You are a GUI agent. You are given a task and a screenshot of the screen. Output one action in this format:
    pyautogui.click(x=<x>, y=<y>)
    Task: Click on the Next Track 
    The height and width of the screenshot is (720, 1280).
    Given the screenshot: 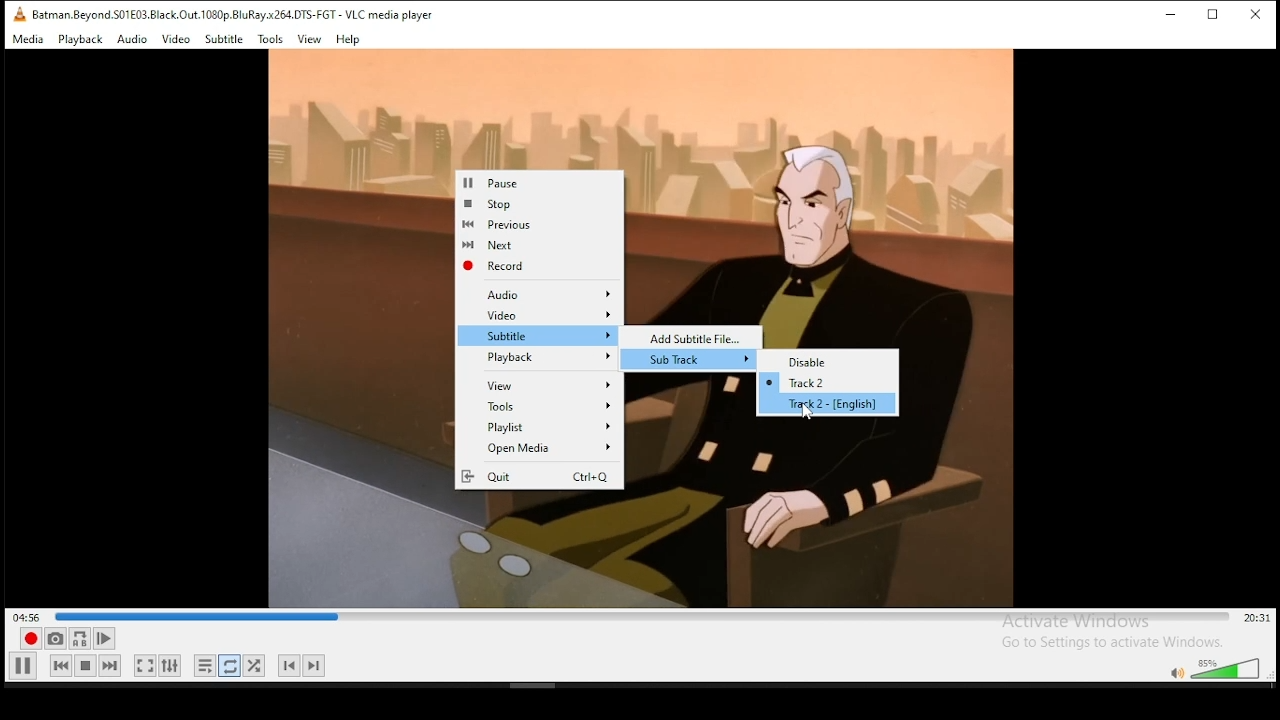 What is the action you would take?
    pyautogui.click(x=317, y=665)
    